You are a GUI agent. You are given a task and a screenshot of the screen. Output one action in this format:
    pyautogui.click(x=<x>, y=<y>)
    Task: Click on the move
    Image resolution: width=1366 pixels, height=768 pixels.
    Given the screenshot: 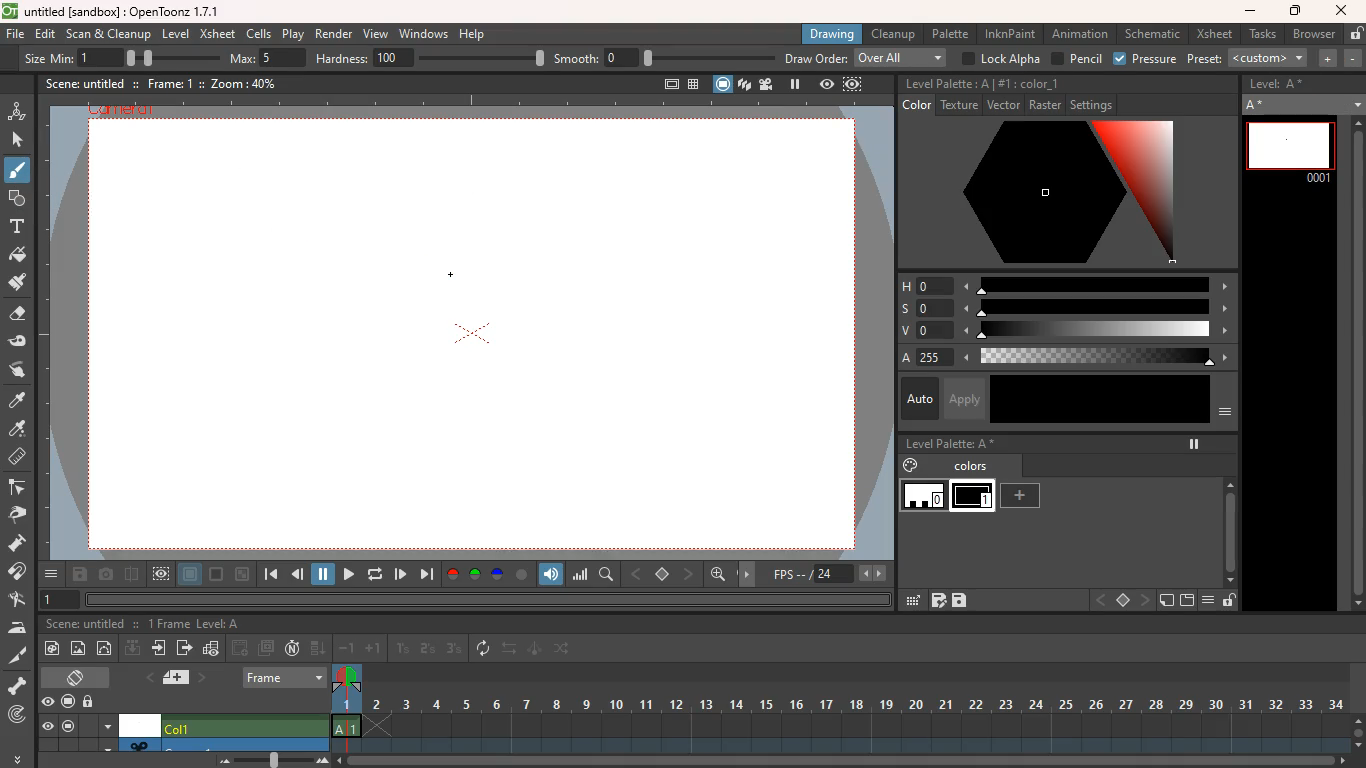 What is the action you would take?
    pyautogui.click(x=160, y=650)
    